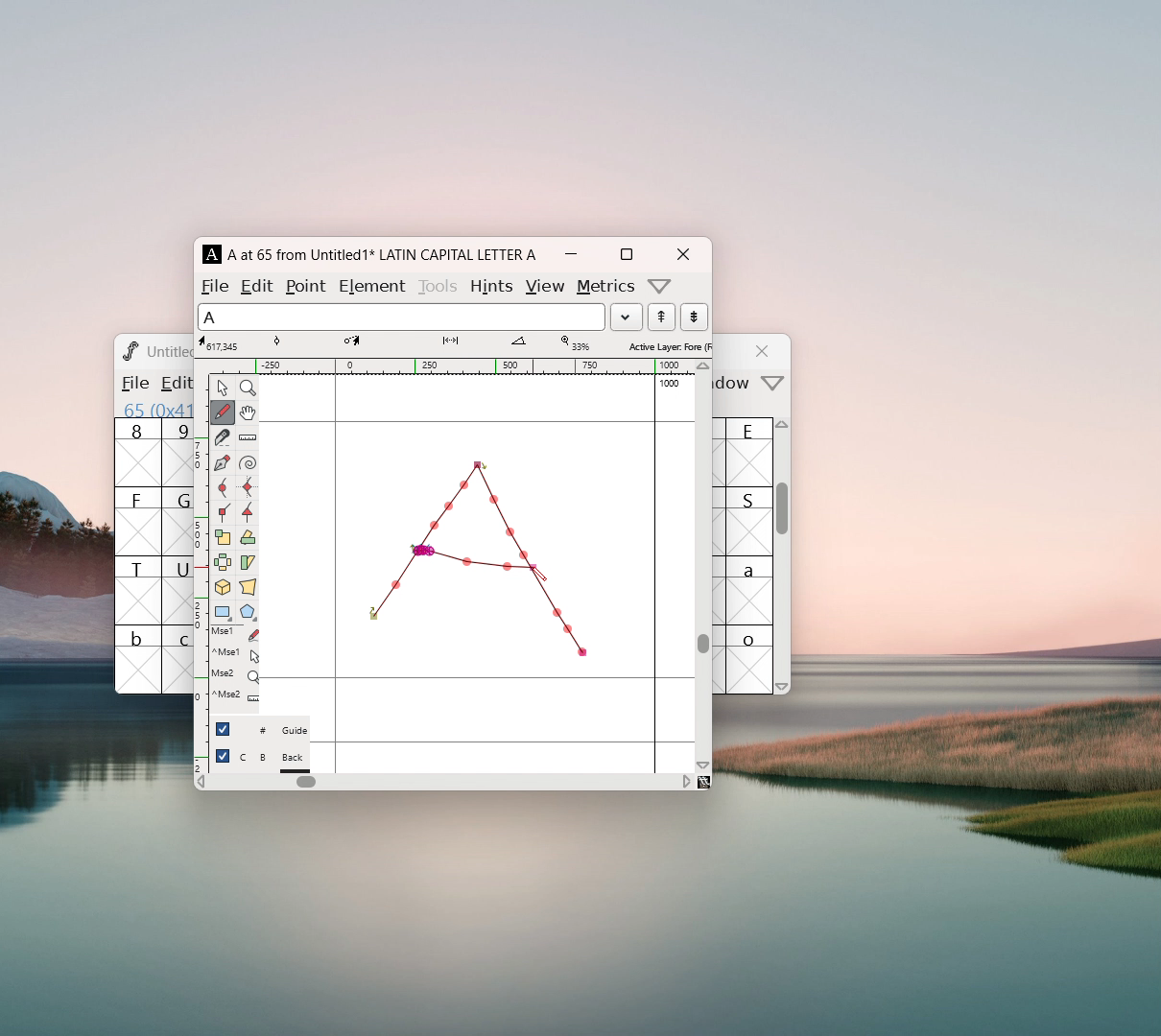  I want to click on cut splines in two, so click(223, 439).